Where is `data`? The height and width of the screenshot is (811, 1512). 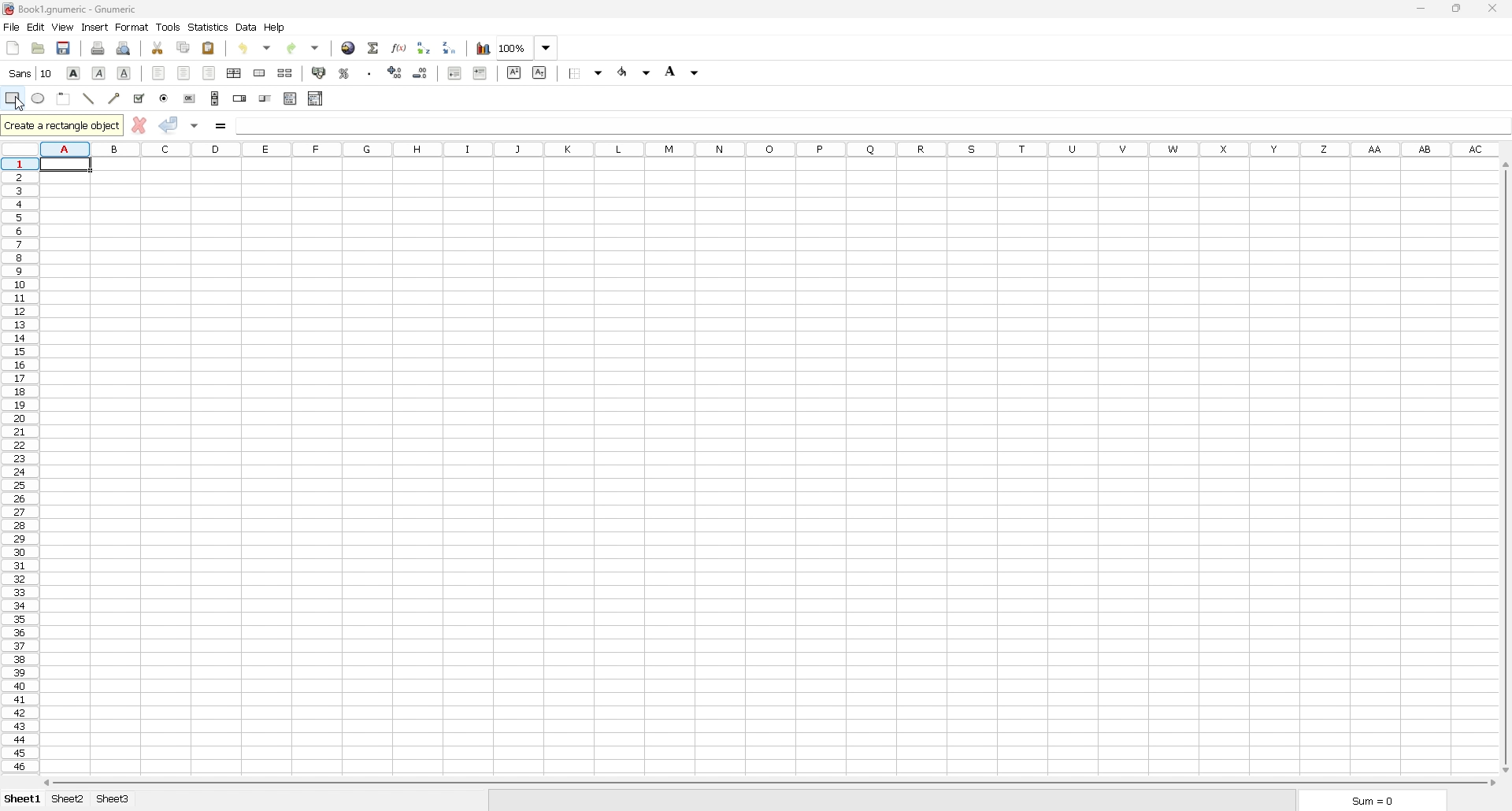 data is located at coordinates (246, 28).